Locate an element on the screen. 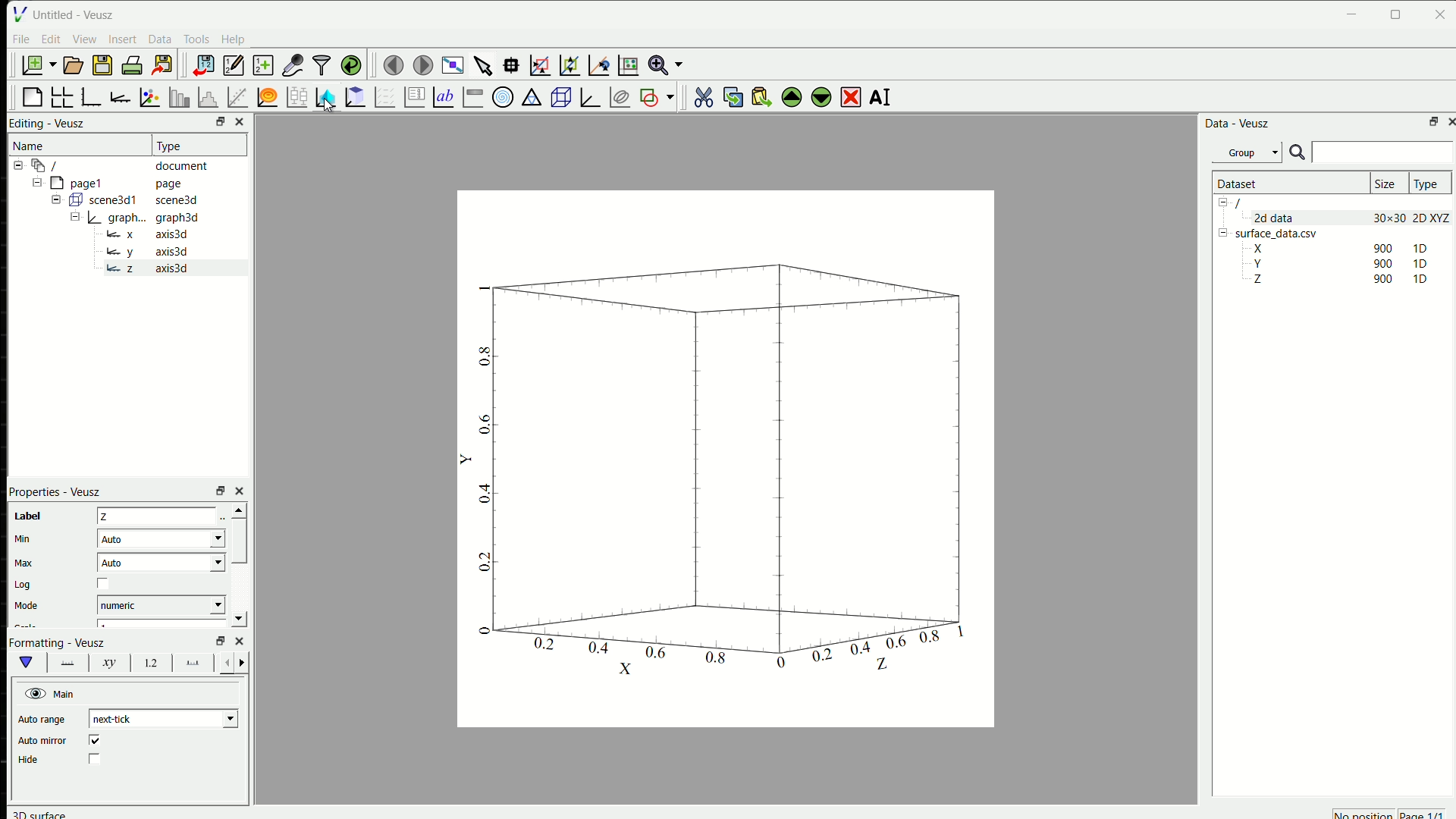  Untitled - Veusz is located at coordinates (73, 16).